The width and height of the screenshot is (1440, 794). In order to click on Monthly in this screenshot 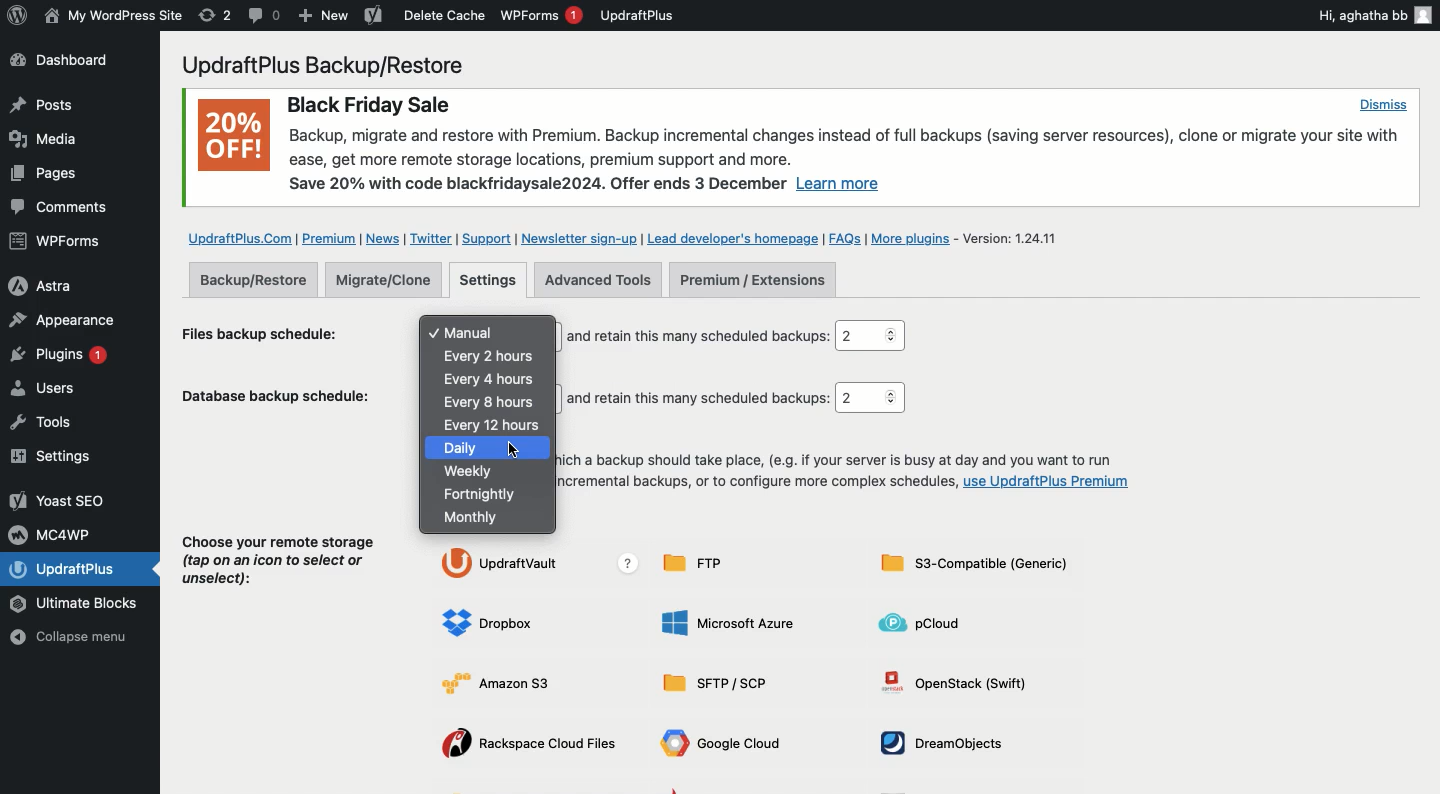, I will do `click(476, 518)`.